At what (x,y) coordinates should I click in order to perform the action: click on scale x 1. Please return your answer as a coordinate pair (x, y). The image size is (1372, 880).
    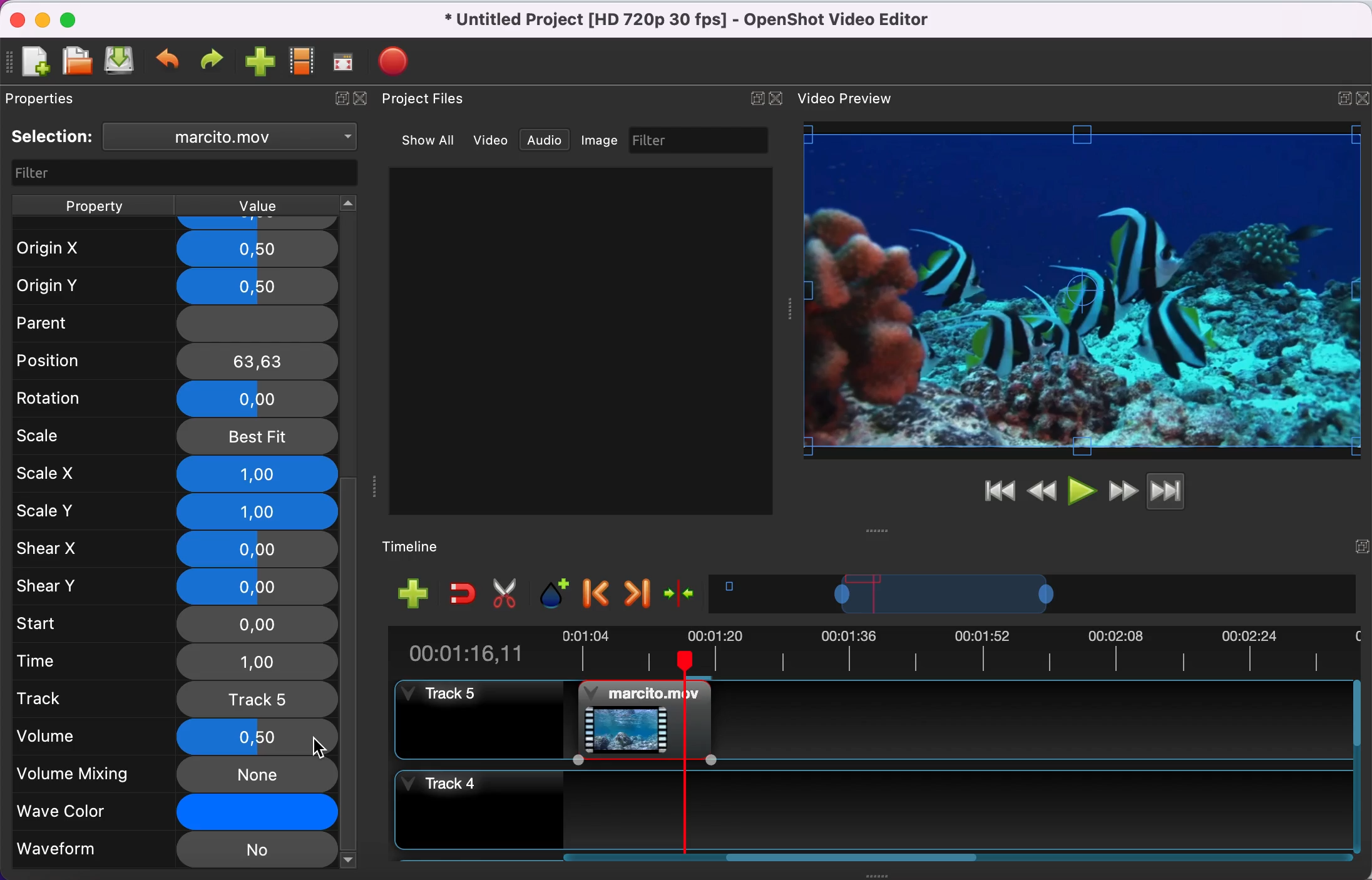
    Looking at the image, I should click on (174, 473).